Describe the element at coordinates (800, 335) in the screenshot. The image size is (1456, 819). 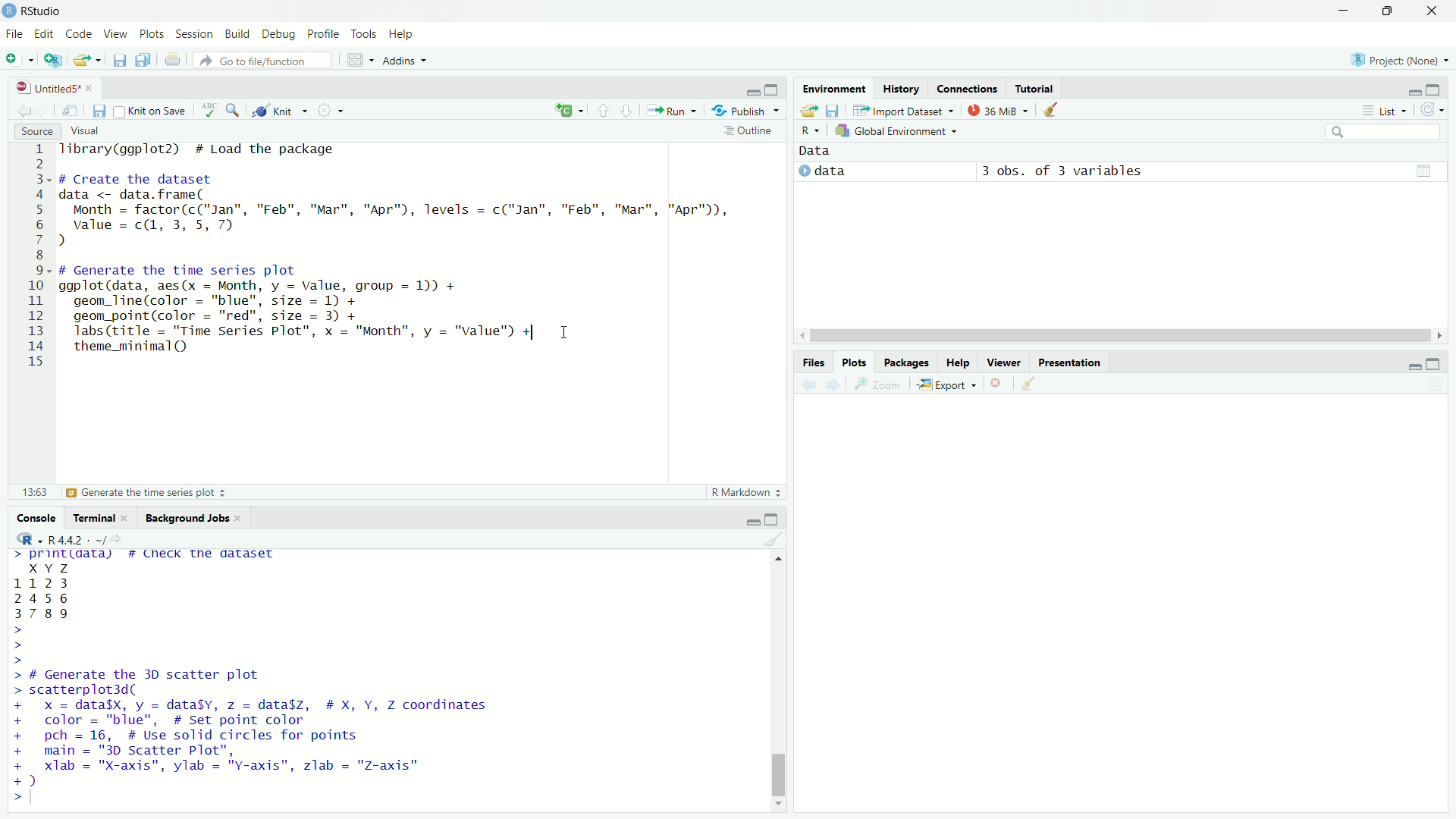
I see `move left` at that location.